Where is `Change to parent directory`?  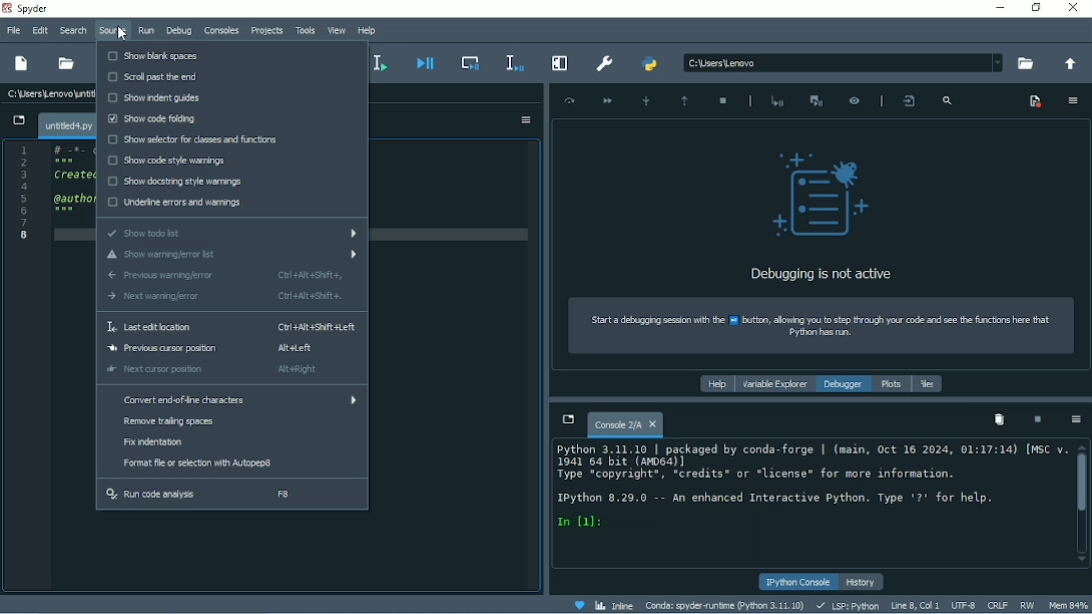 Change to parent directory is located at coordinates (1068, 65).